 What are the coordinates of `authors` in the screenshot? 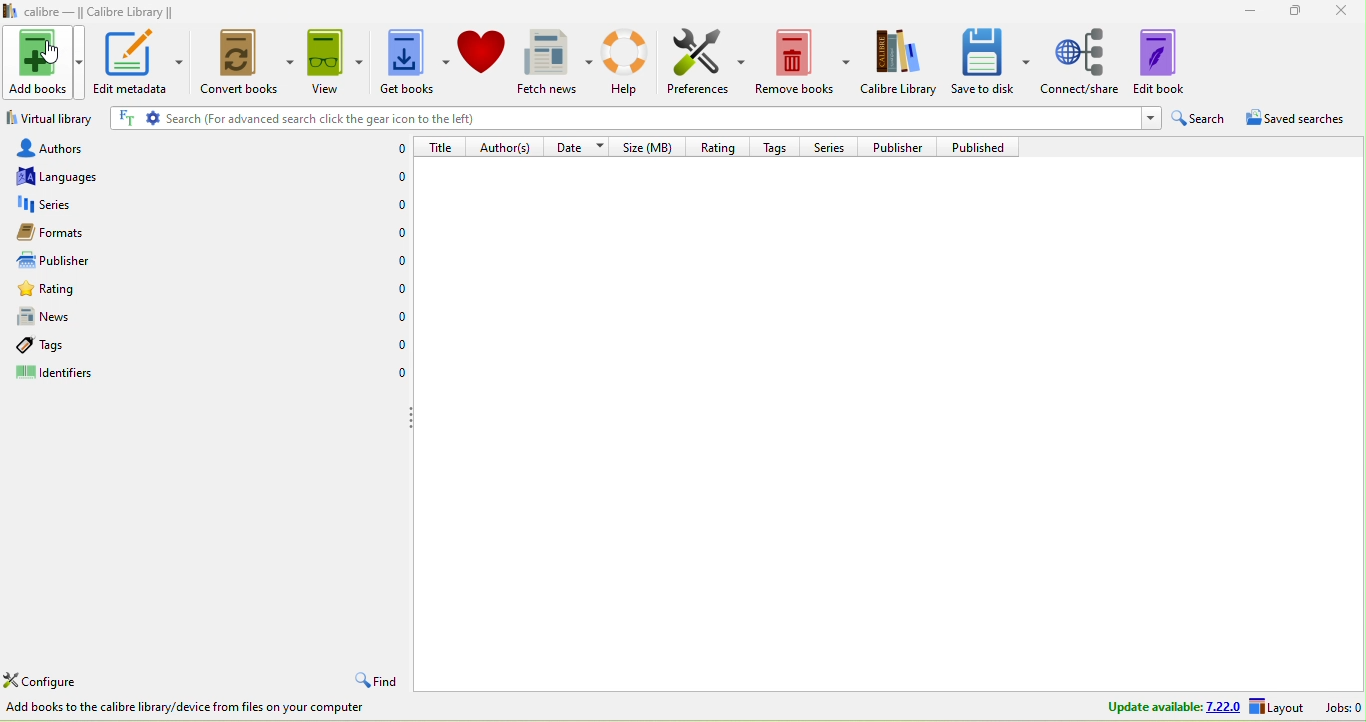 It's located at (95, 149).